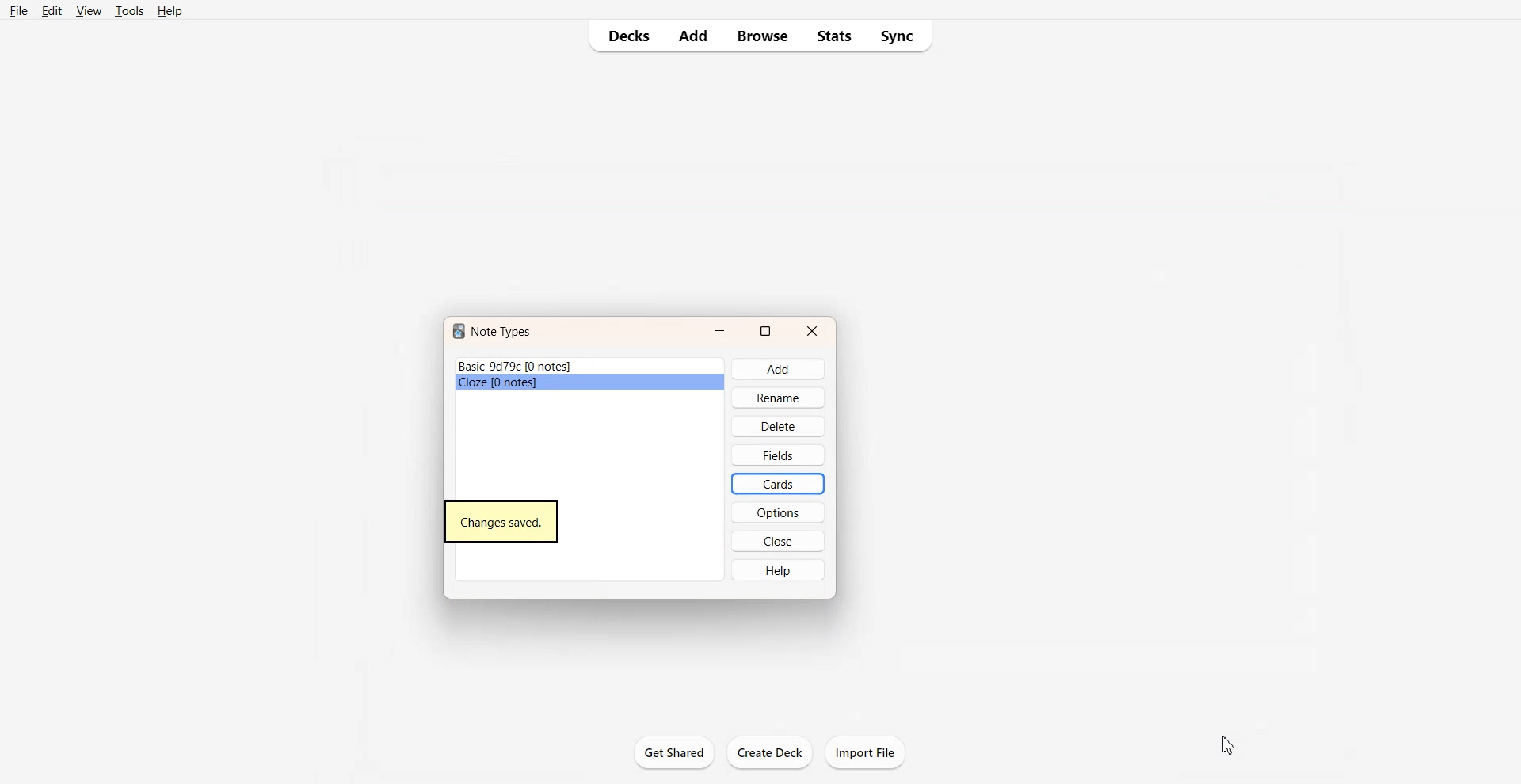  Describe the element at coordinates (778, 426) in the screenshot. I see `delete` at that location.